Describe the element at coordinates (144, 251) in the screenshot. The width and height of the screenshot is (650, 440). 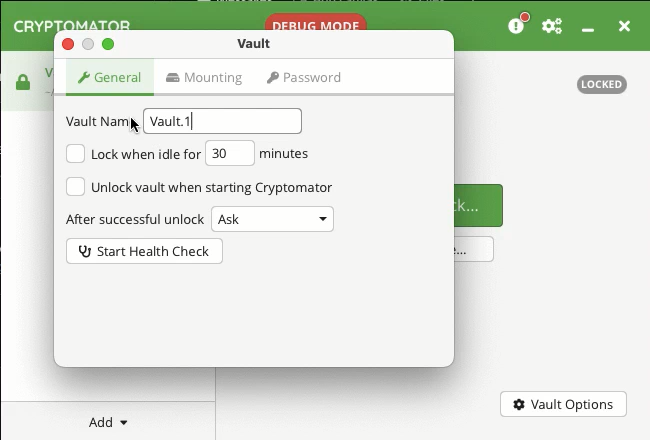
I see `Start Health Check` at that location.